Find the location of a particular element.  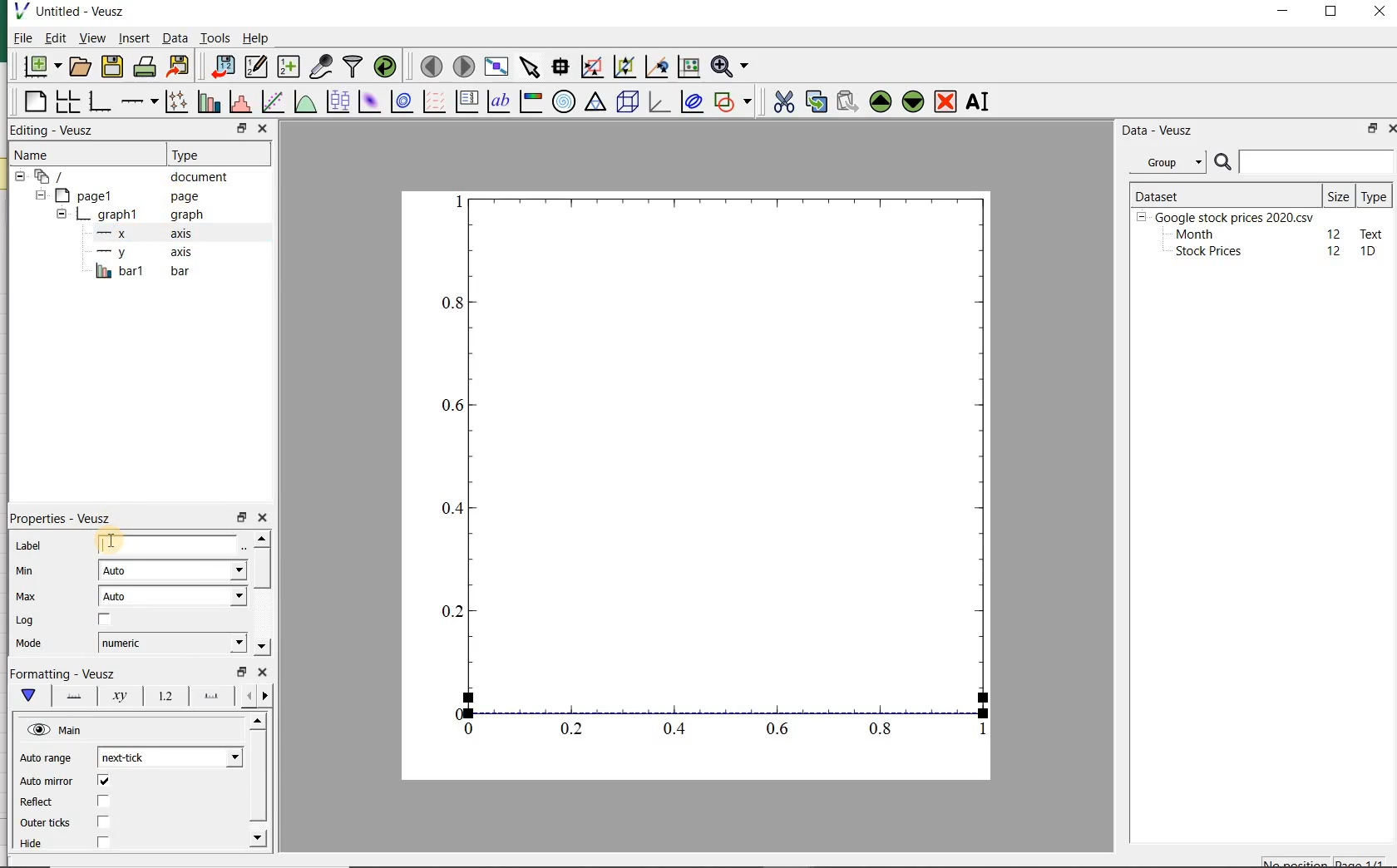

Name is located at coordinates (42, 155).